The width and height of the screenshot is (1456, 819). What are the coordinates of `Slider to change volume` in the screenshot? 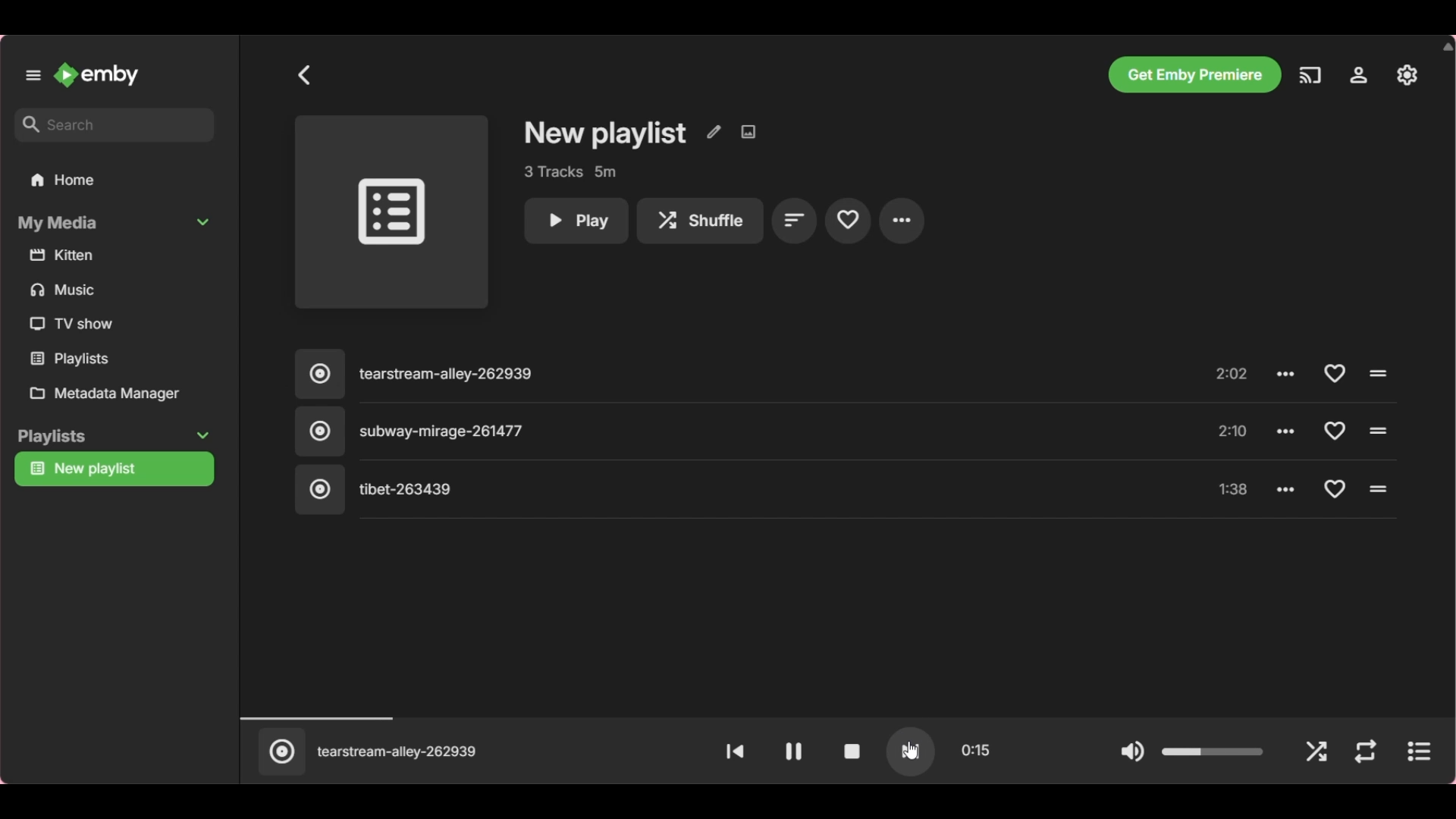 It's located at (1212, 745).